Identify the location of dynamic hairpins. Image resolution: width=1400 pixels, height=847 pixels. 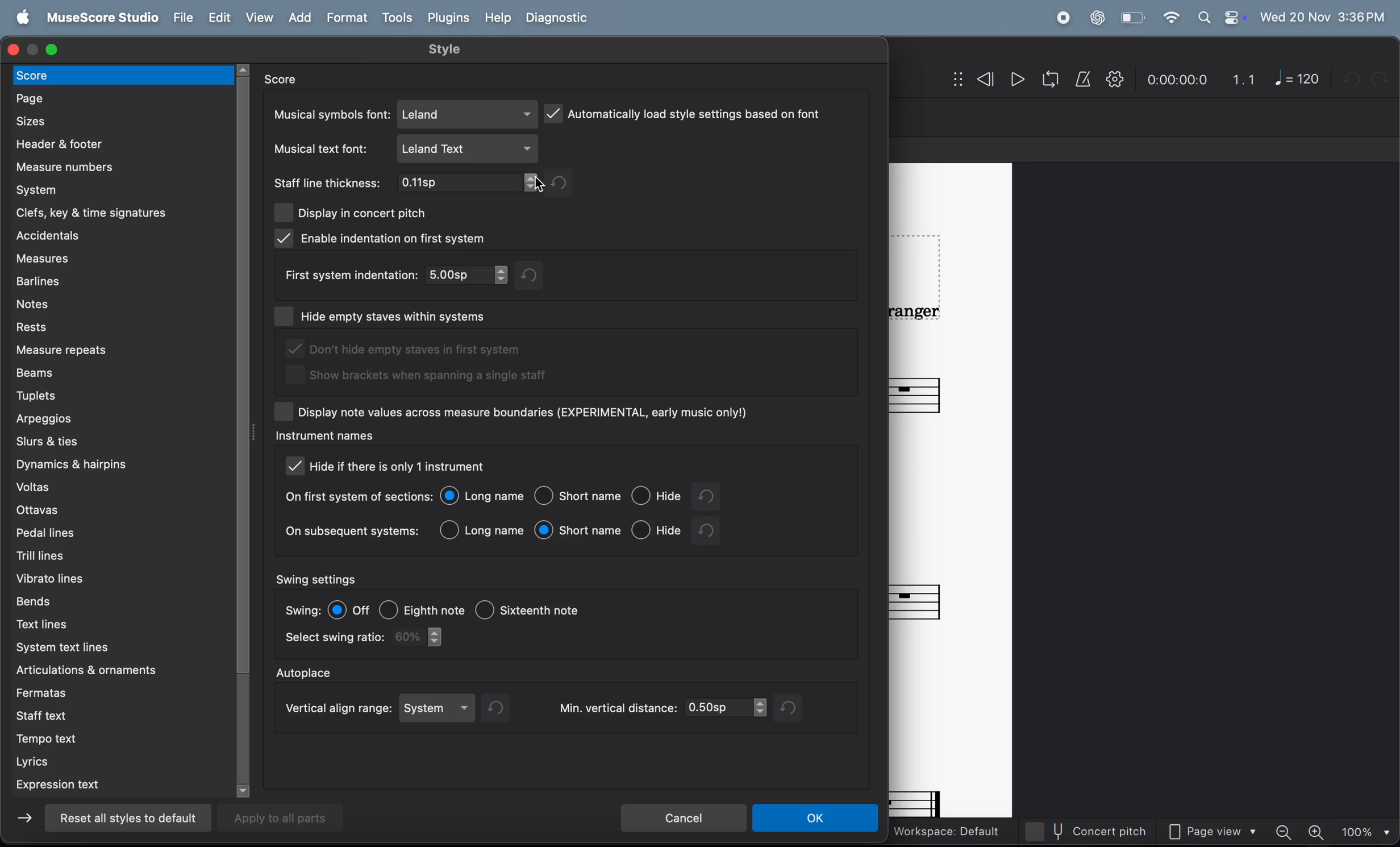
(114, 465).